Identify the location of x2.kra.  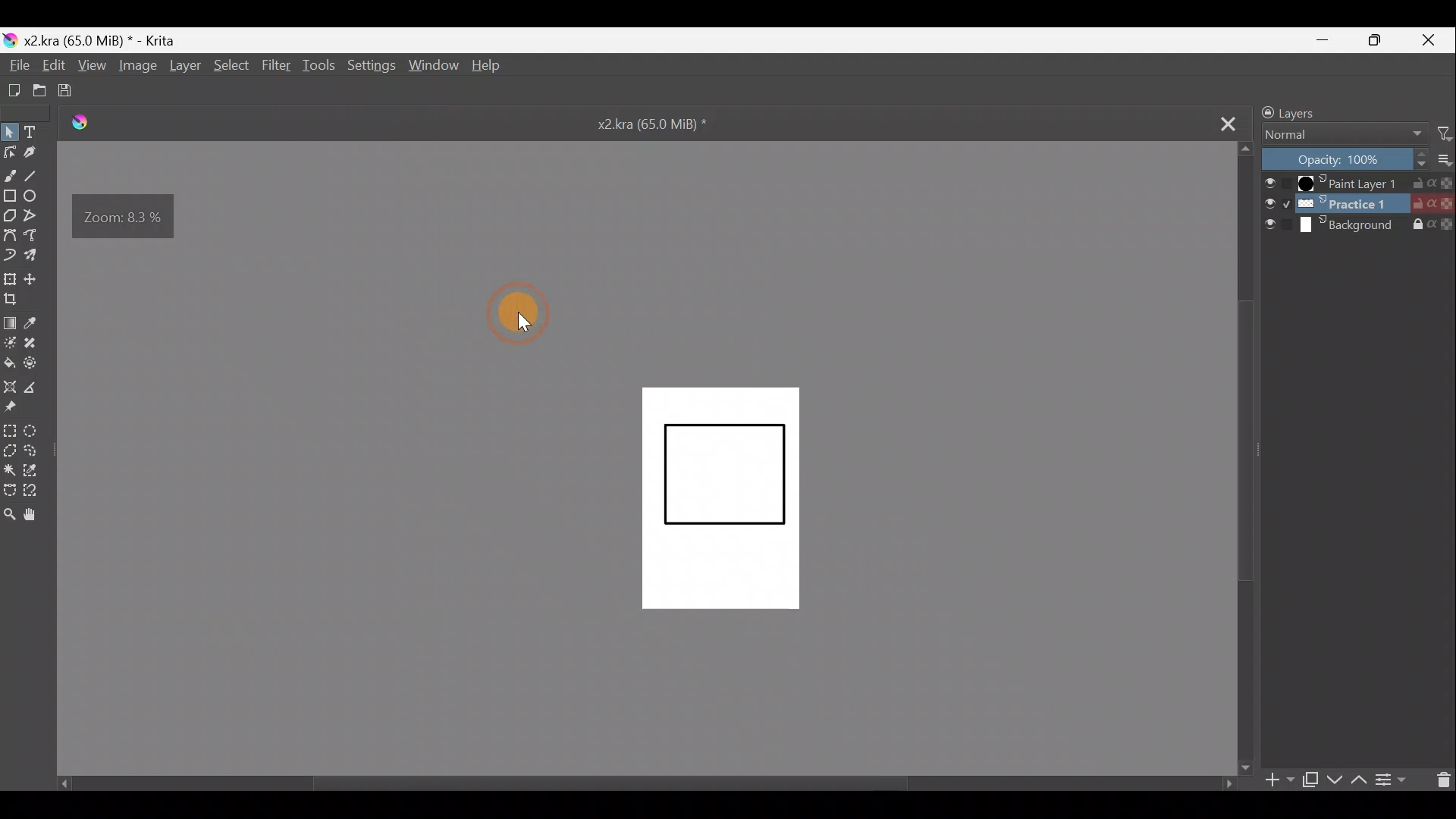
(639, 123).